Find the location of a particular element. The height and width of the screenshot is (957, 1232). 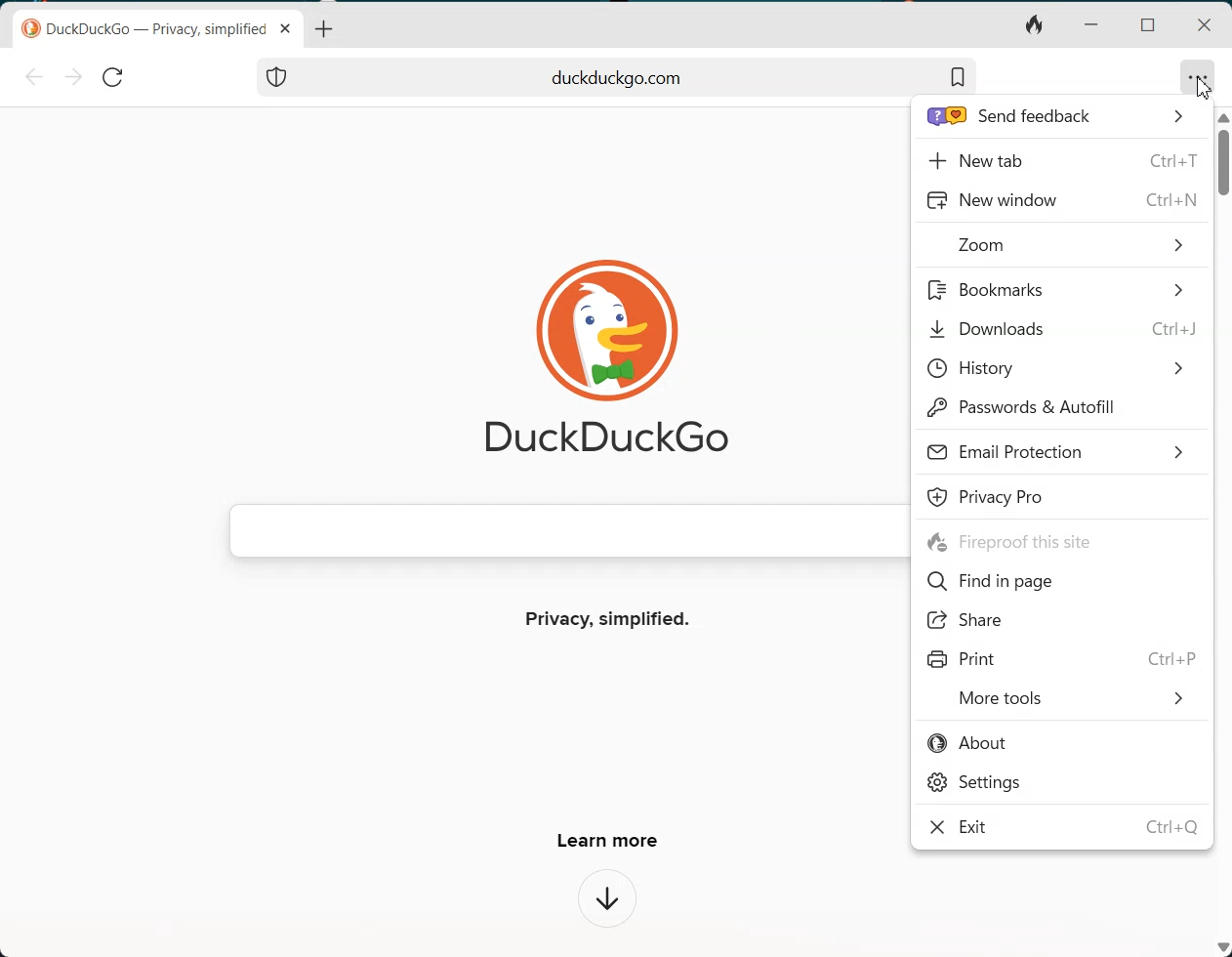

Cursor is located at coordinates (1203, 87).